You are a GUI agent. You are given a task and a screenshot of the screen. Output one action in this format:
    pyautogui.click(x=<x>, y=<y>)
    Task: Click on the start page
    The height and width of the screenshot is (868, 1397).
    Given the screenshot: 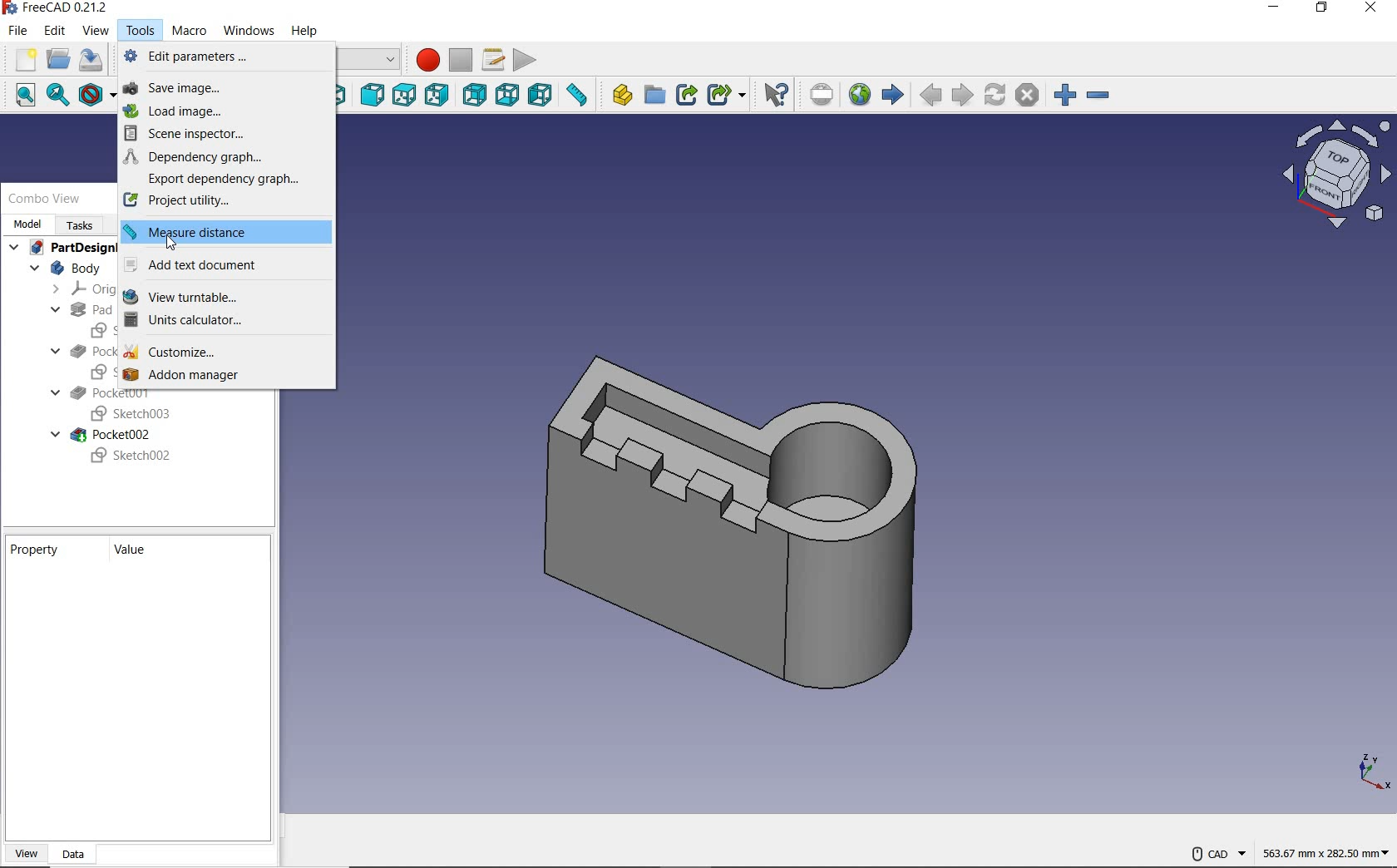 What is the action you would take?
    pyautogui.click(x=892, y=94)
    